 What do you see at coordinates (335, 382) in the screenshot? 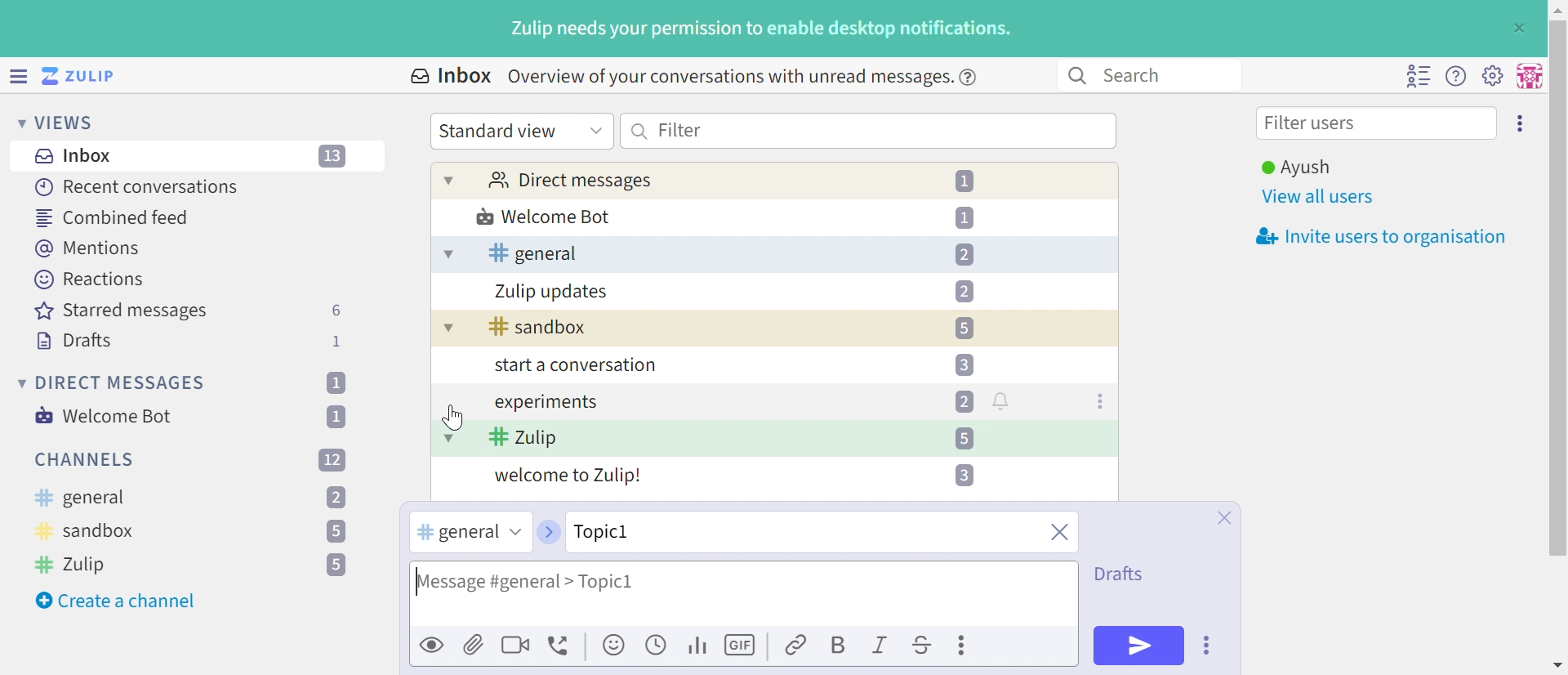
I see `1` at bounding box center [335, 382].